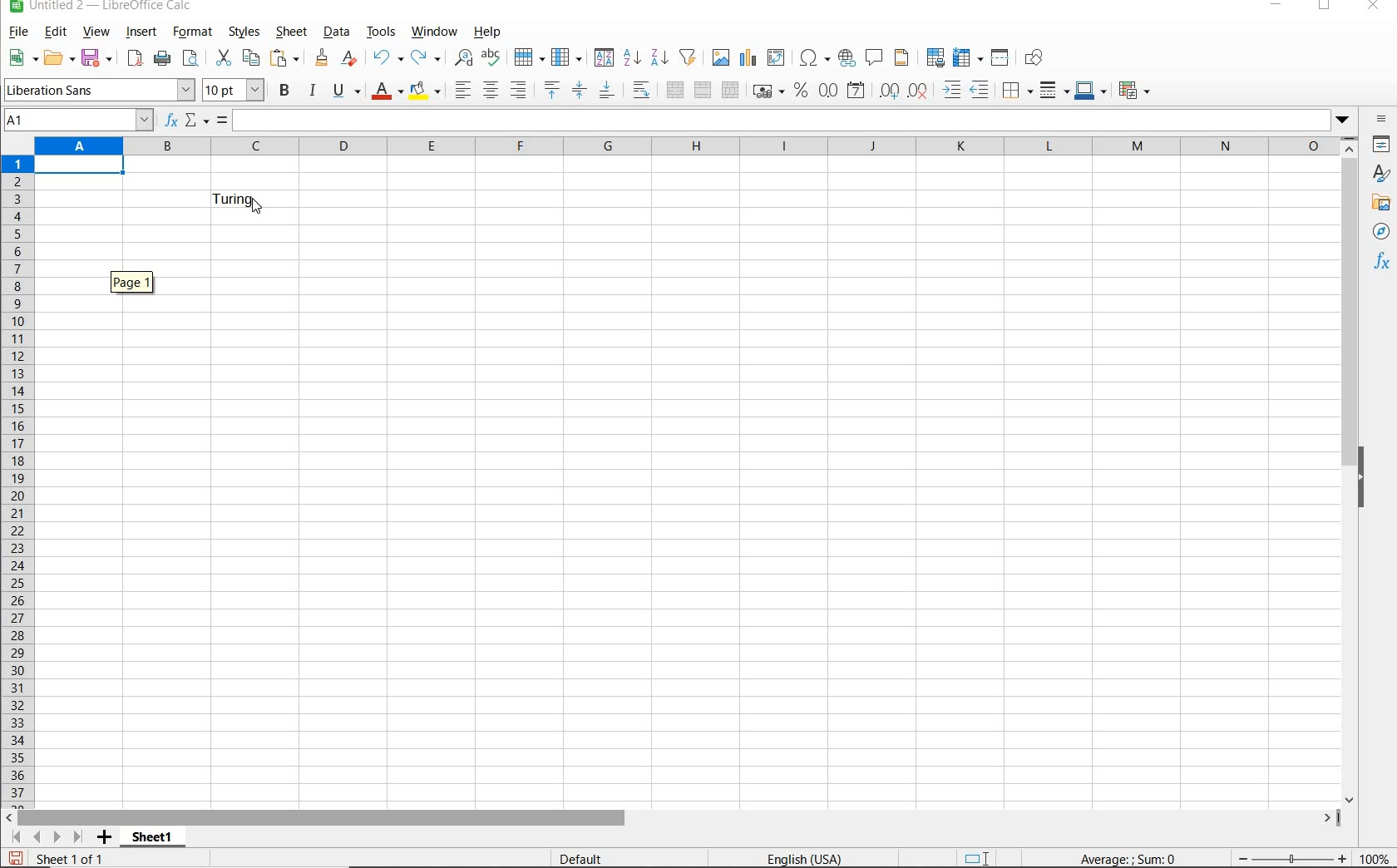 Image resolution: width=1397 pixels, height=868 pixels. I want to click on OPEN, so click(57, 57).